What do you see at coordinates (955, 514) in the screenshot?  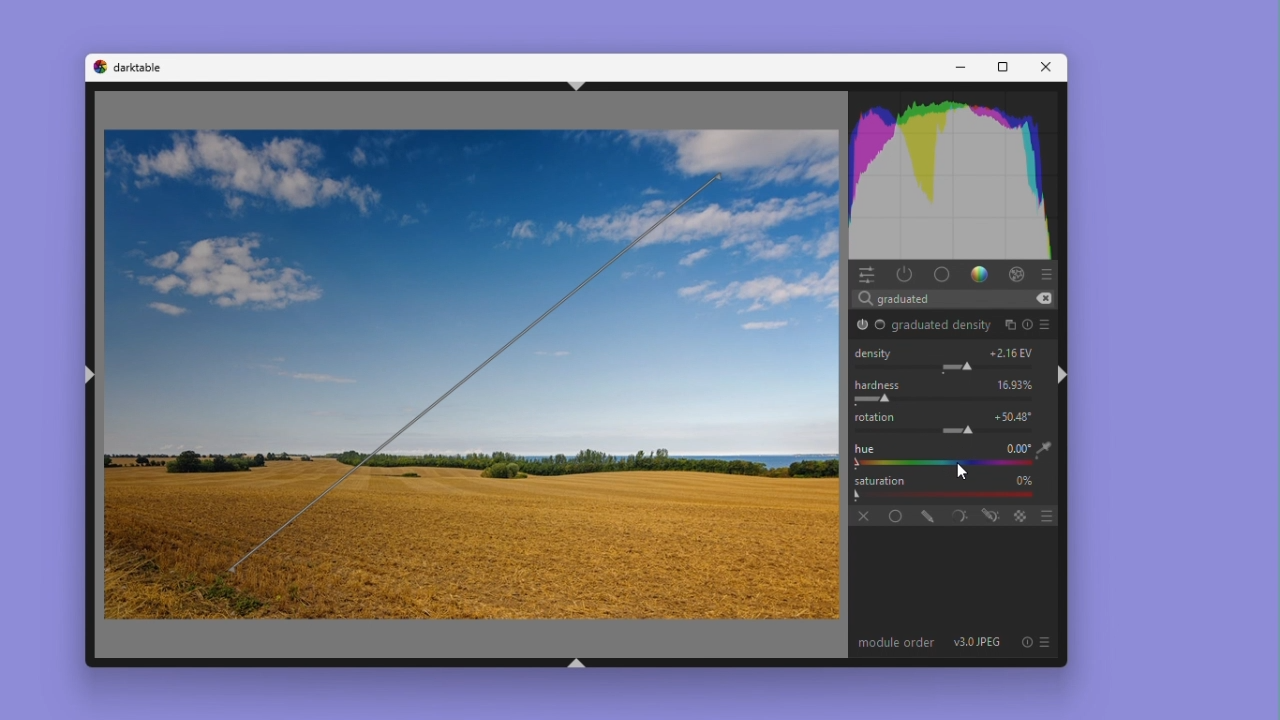 I see `parametric mask` at bounding box center [955, 514].